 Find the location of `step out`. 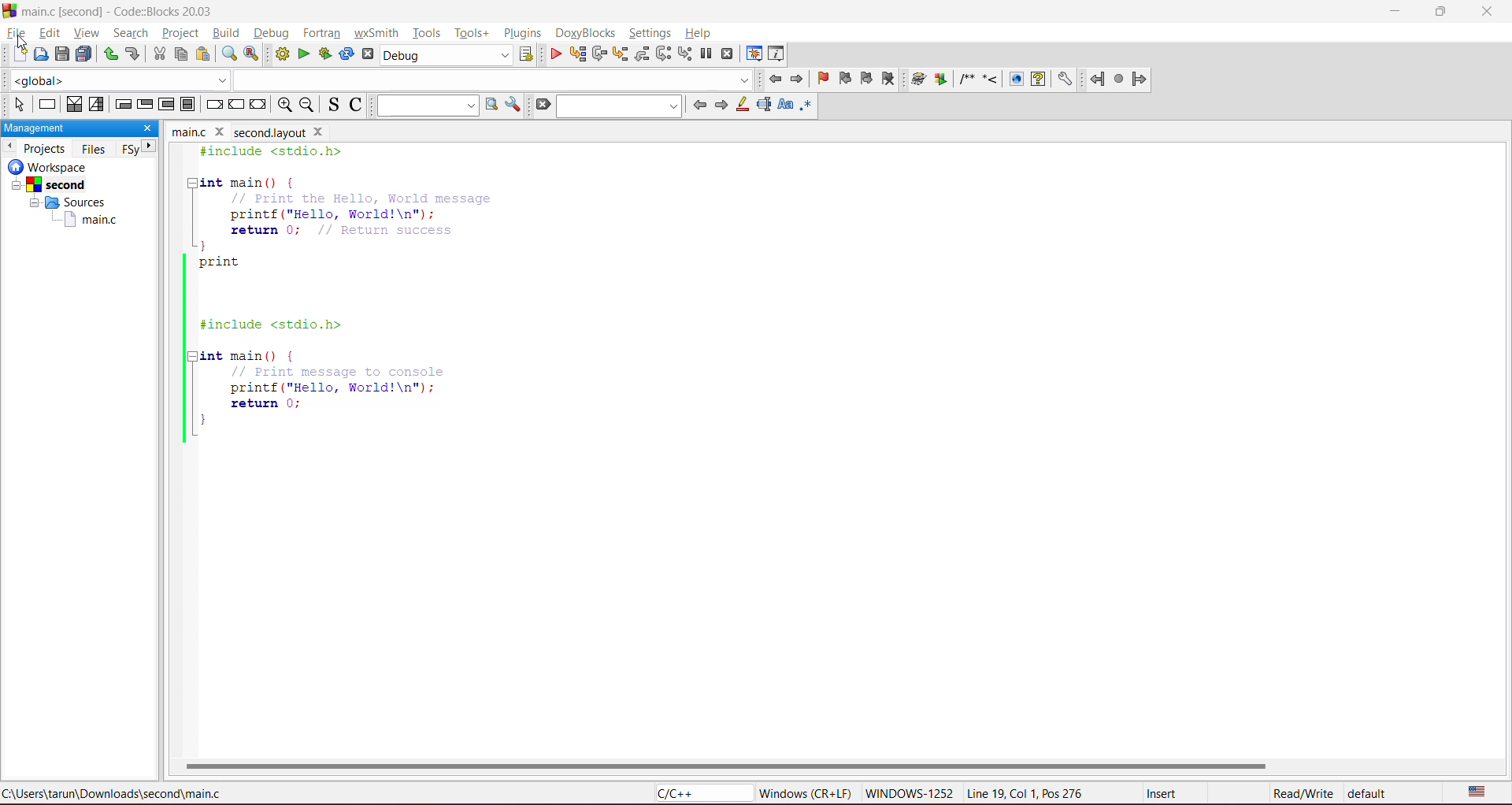

step out is located at coordinates (643, 55).